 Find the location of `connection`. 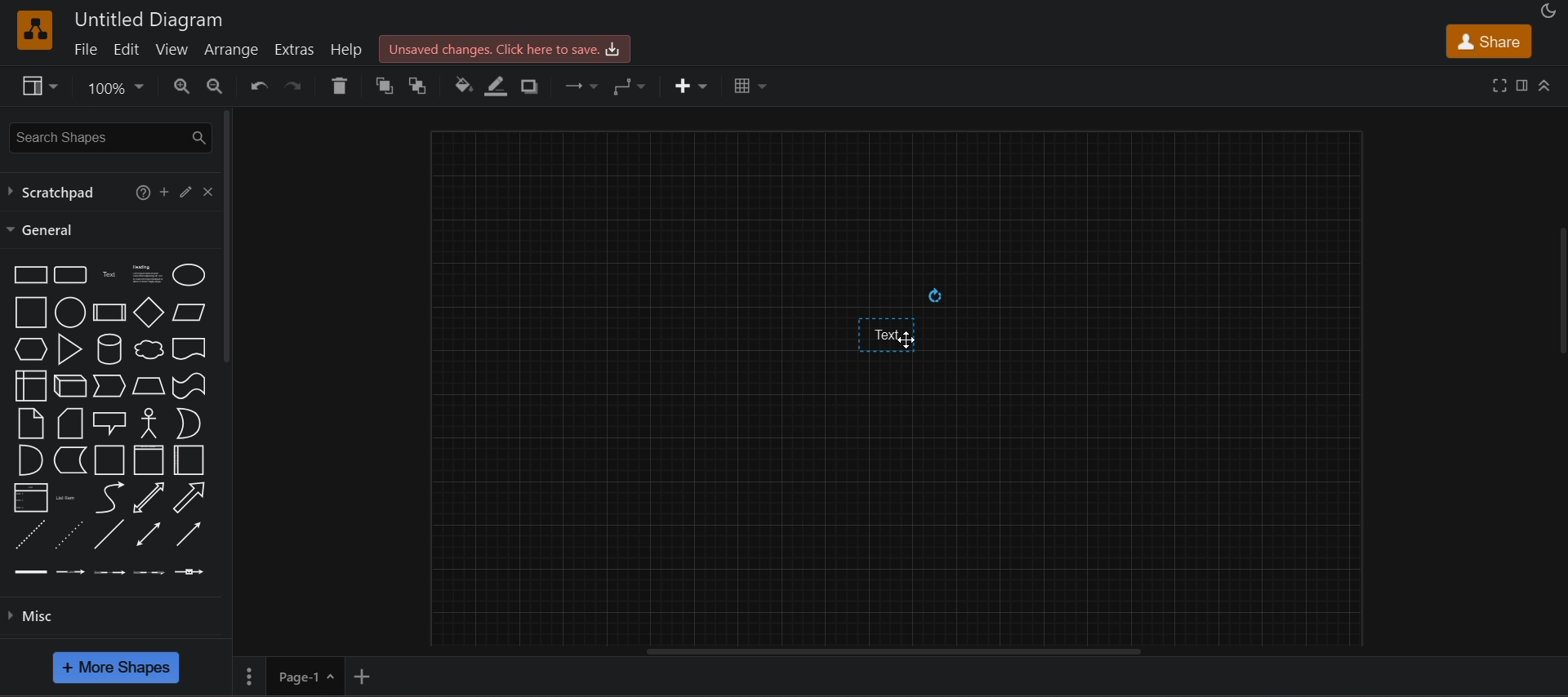

connection is located at coordinates (580, 85).